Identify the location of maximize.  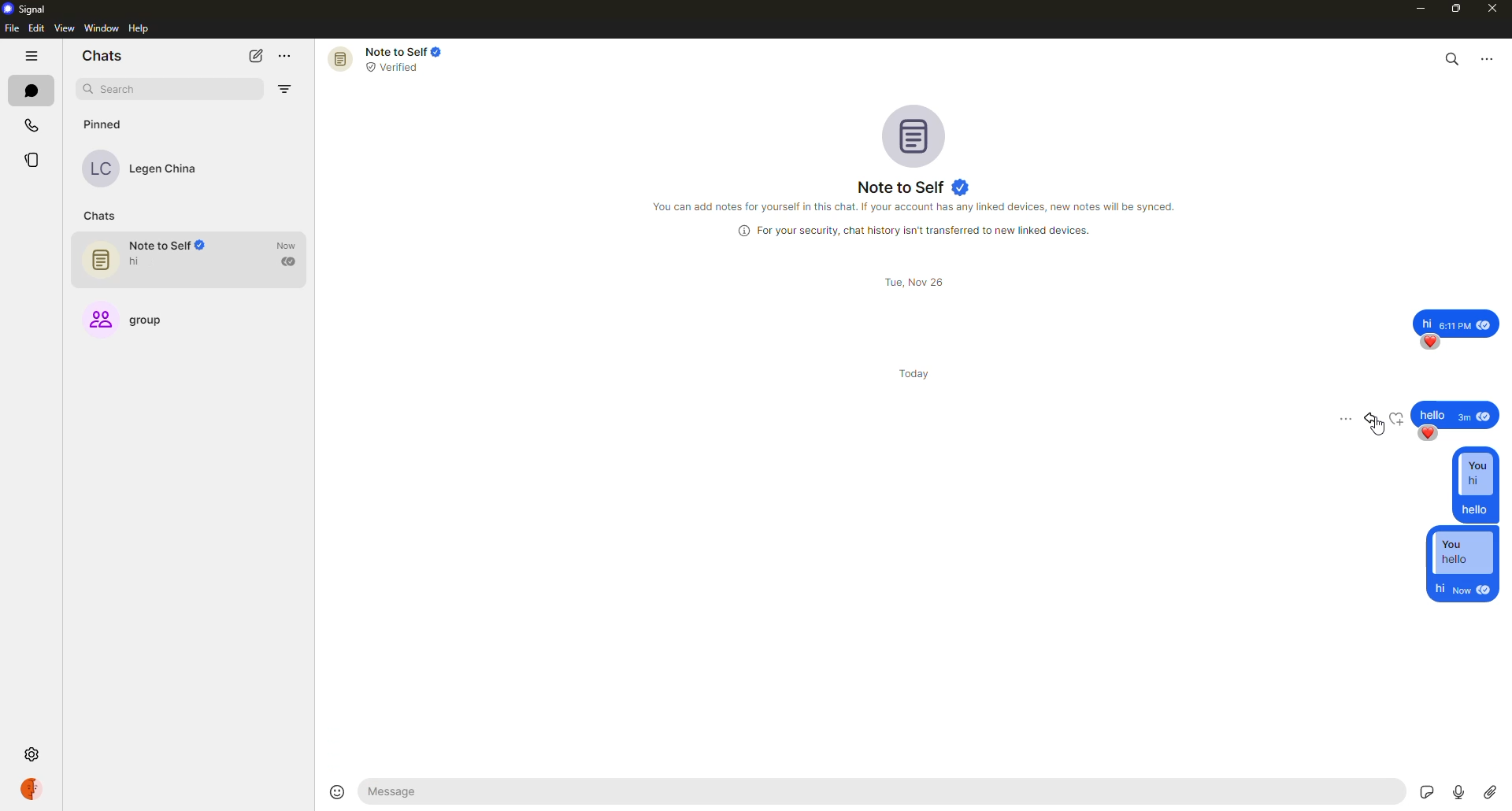
(1452, 10).